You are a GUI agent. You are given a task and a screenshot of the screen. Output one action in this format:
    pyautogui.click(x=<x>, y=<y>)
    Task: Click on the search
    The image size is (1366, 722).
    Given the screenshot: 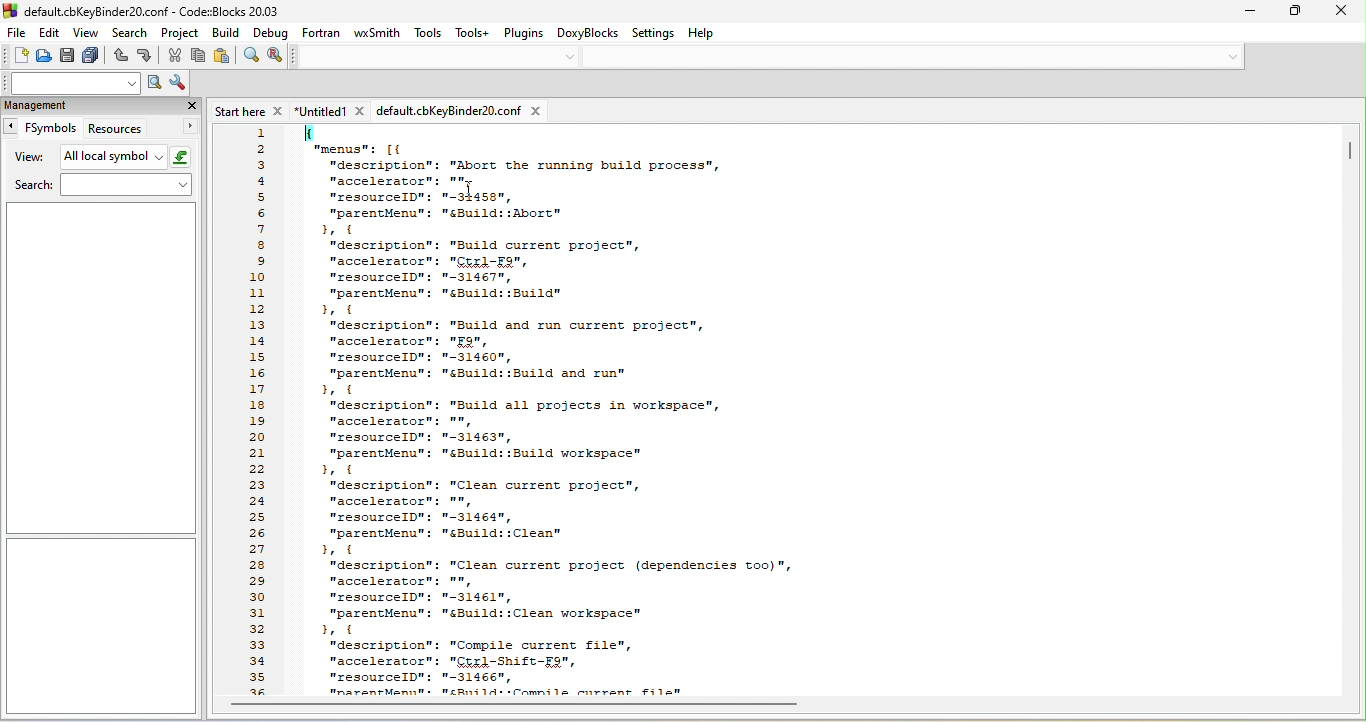 What is the action you would take?
    pyautogui.click(x=105, y=187)
    